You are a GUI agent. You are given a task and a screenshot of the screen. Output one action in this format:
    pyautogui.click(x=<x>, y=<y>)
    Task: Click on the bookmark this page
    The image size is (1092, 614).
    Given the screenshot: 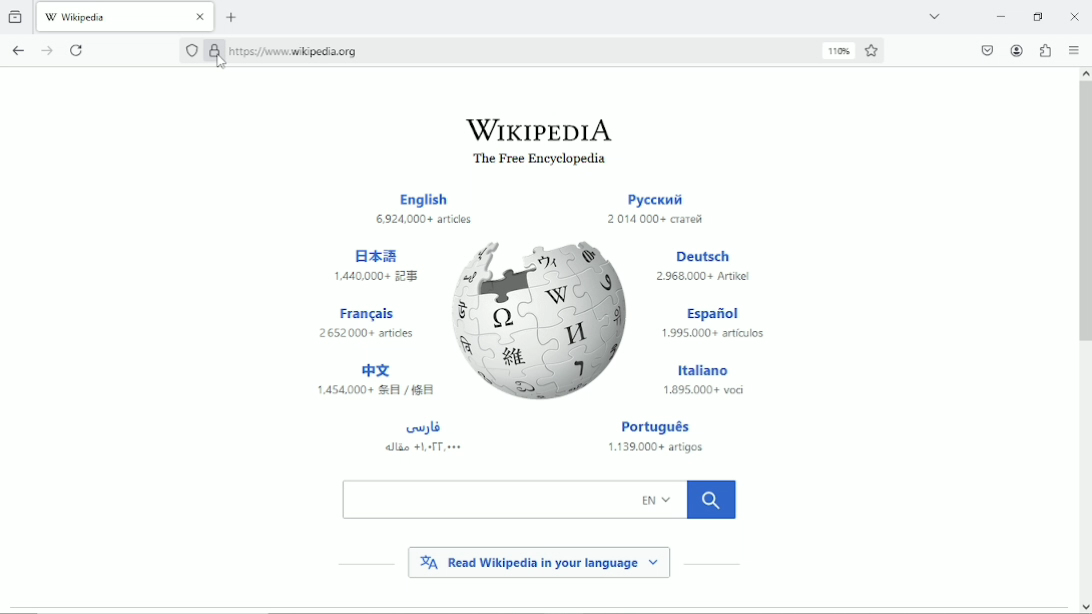 What is the action you would take?
    pyautogui.click(x=873, y=51)
    